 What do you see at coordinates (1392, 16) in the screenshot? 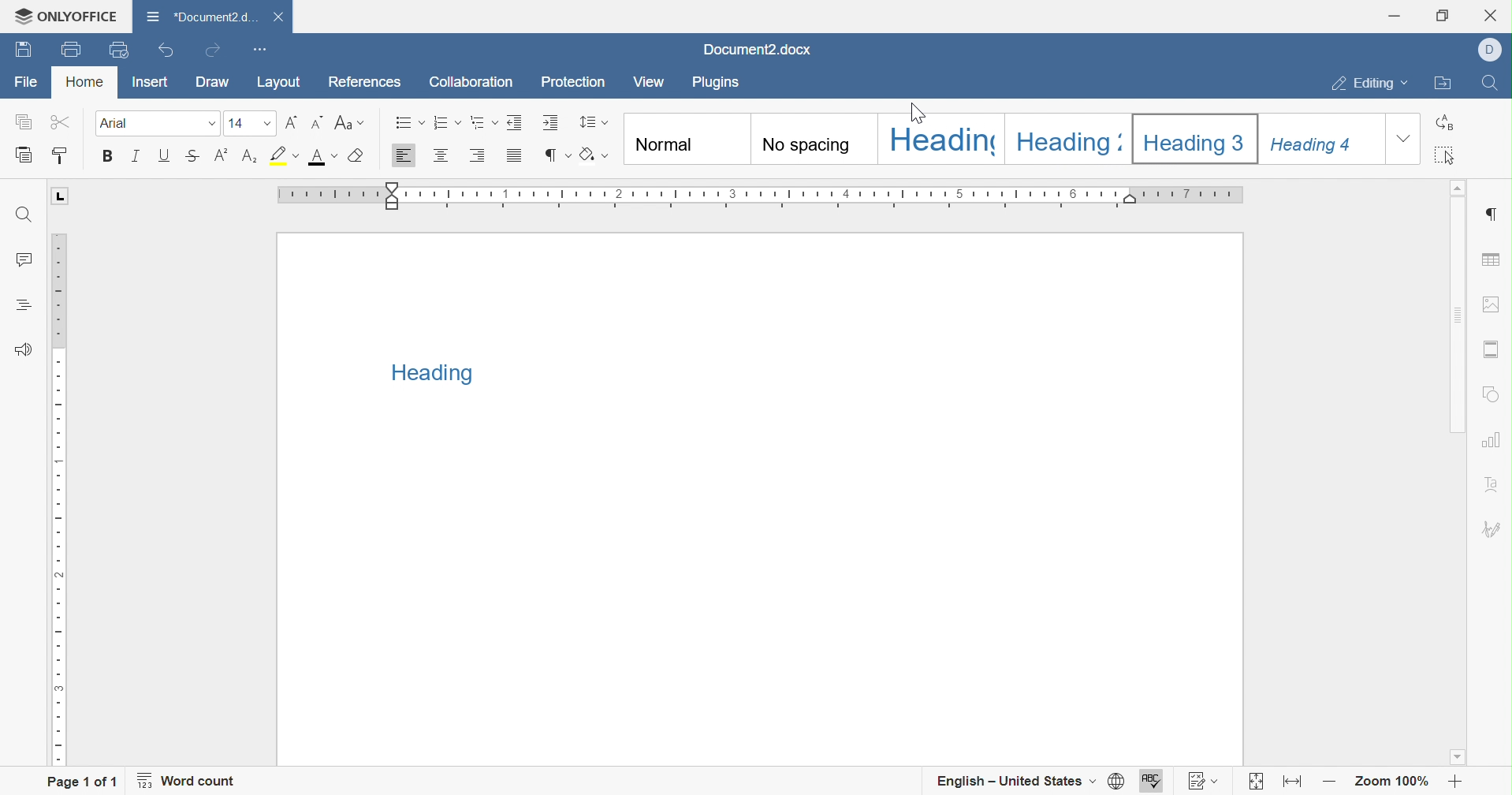
I see `Minimize` at bounding box center [1392, 16].